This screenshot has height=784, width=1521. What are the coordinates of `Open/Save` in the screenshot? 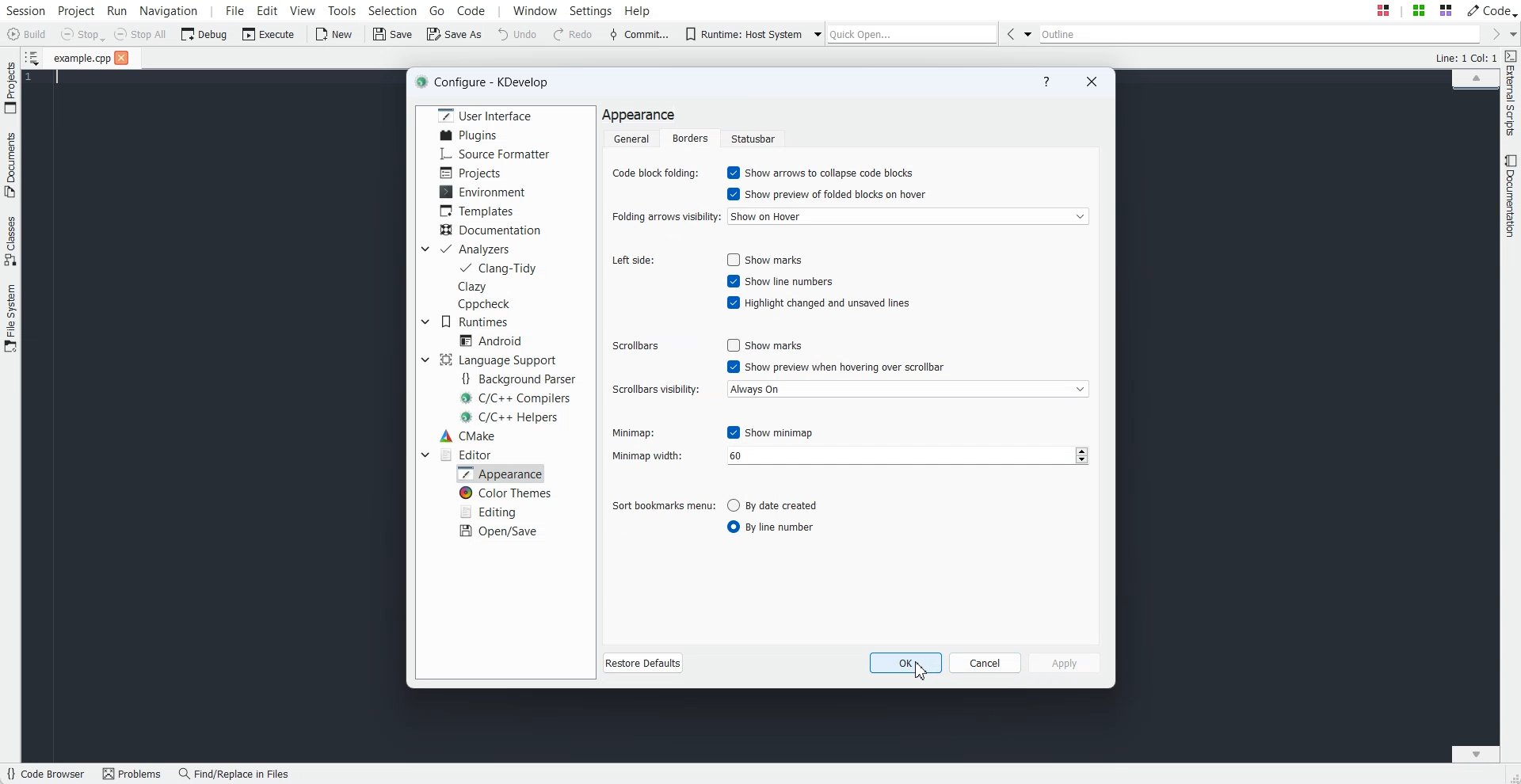 It's located at (500, 531).